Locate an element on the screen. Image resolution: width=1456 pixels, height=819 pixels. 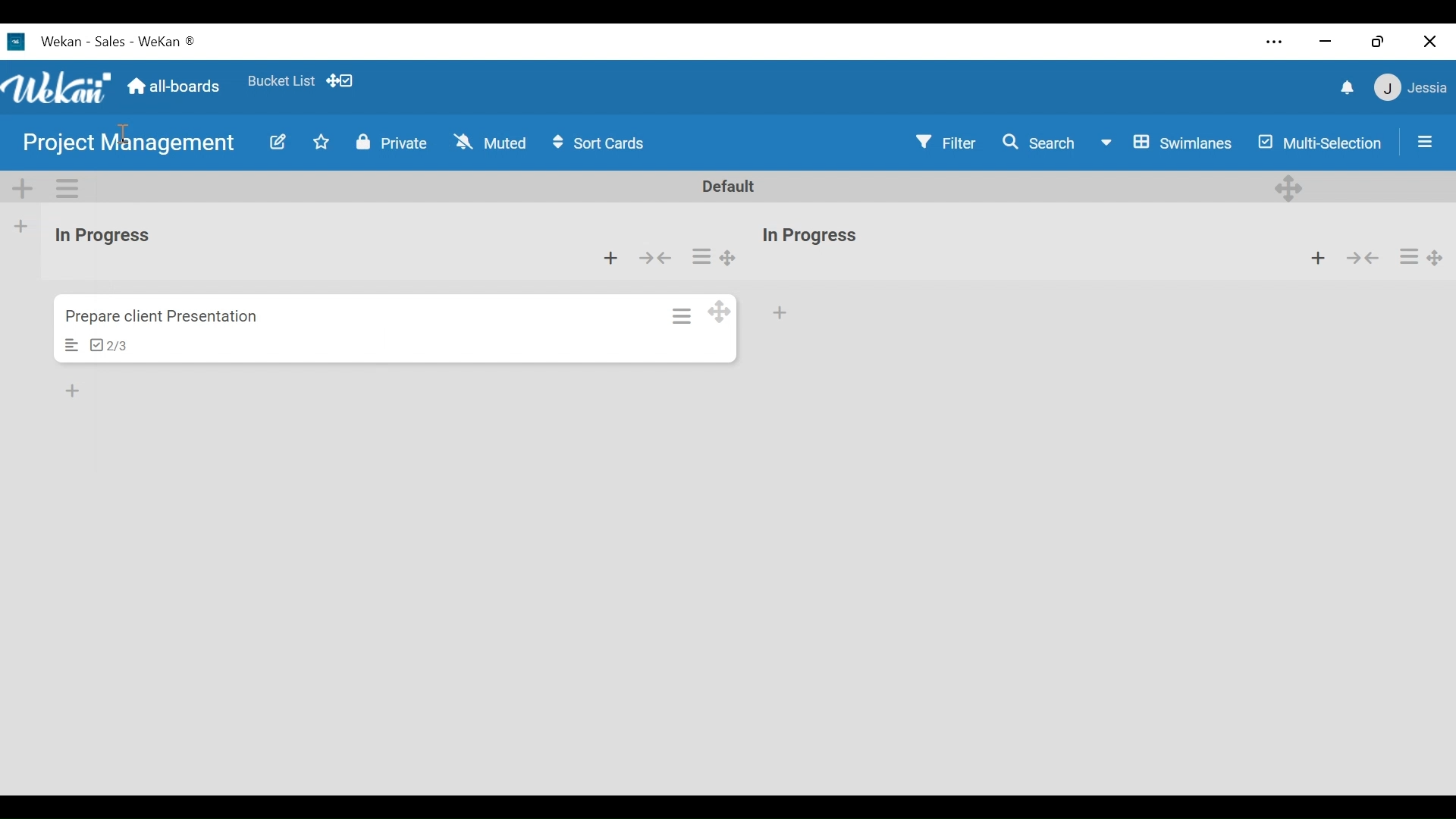
List Title is located at coordinates (104, 235).